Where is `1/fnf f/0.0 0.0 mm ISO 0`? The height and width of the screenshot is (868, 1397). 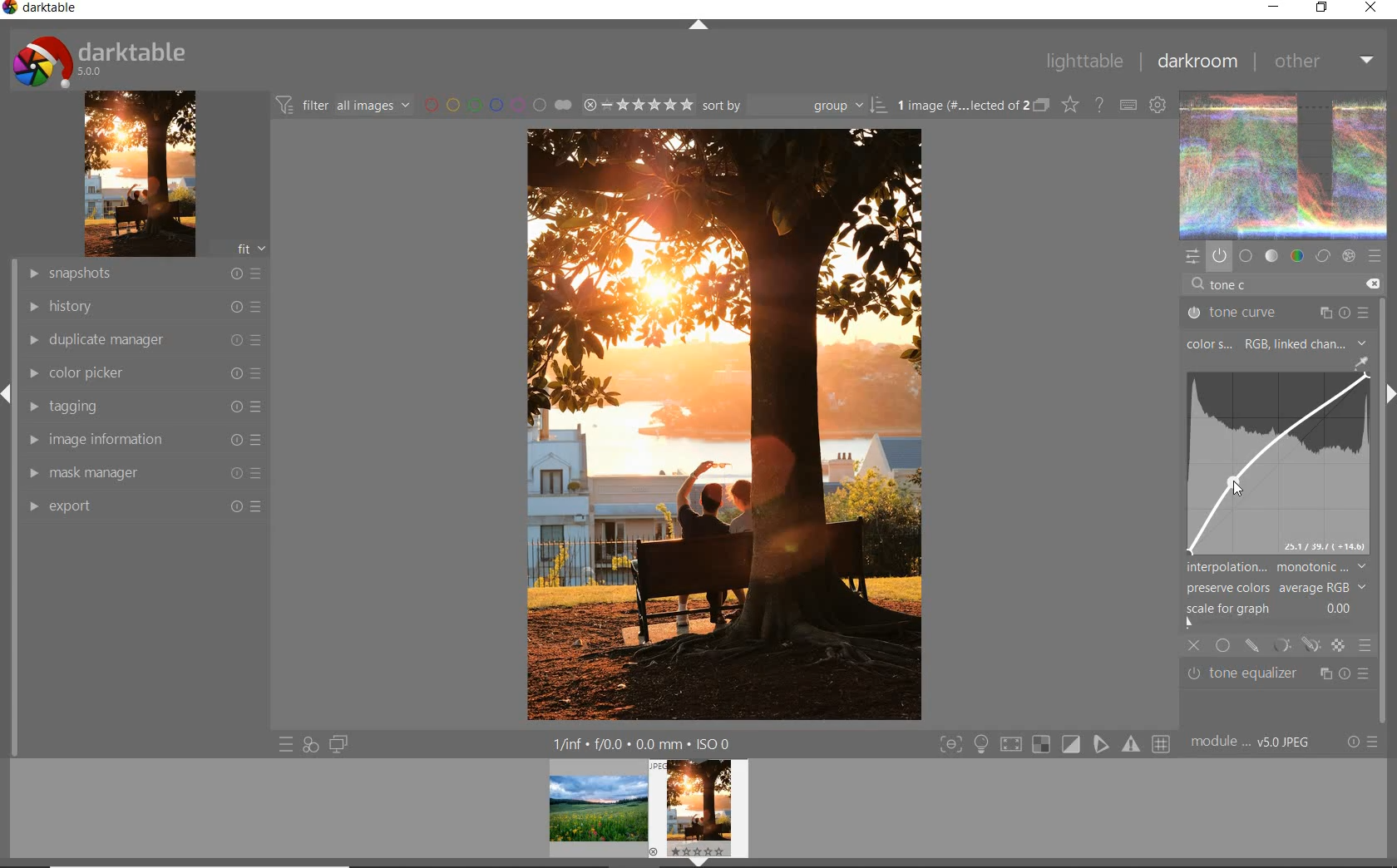
1/fnf f/0.0 0.0 mm ISO 0 is located at coordinates (645, 742).